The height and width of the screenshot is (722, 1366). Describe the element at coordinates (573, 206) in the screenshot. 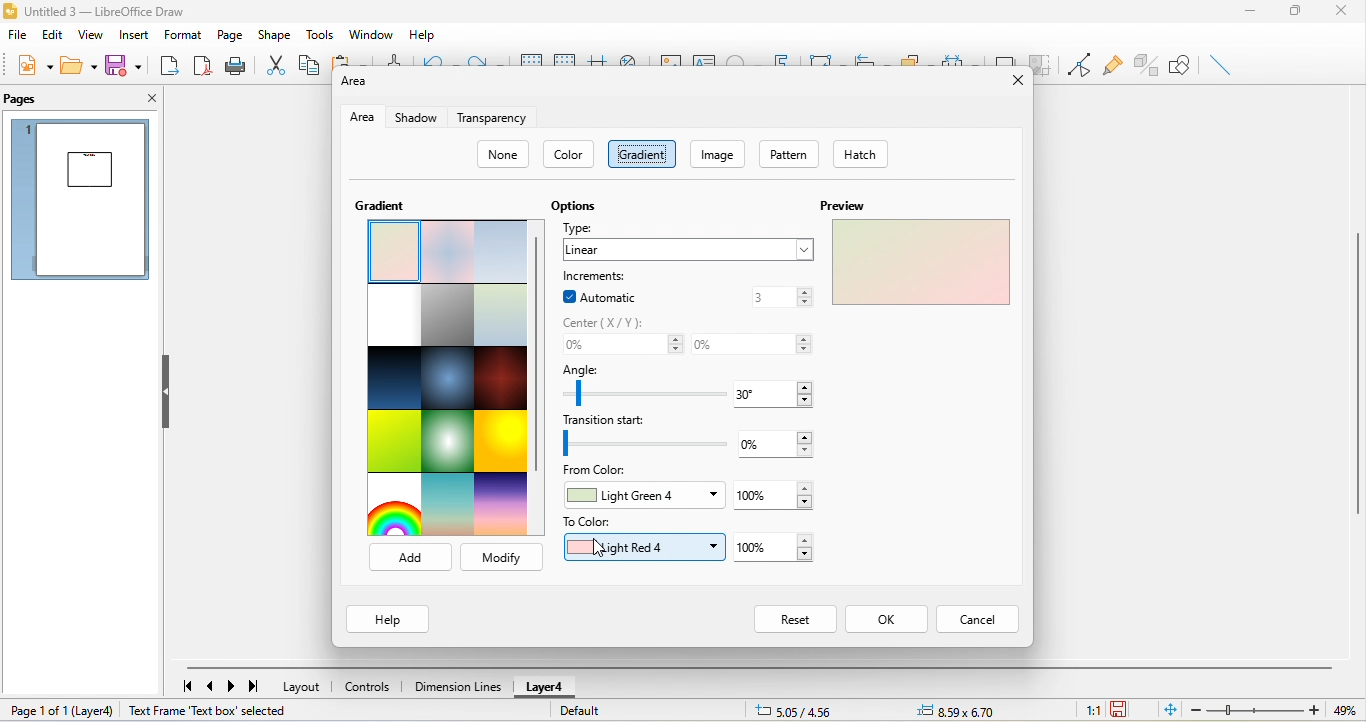

I see `options` at that location.